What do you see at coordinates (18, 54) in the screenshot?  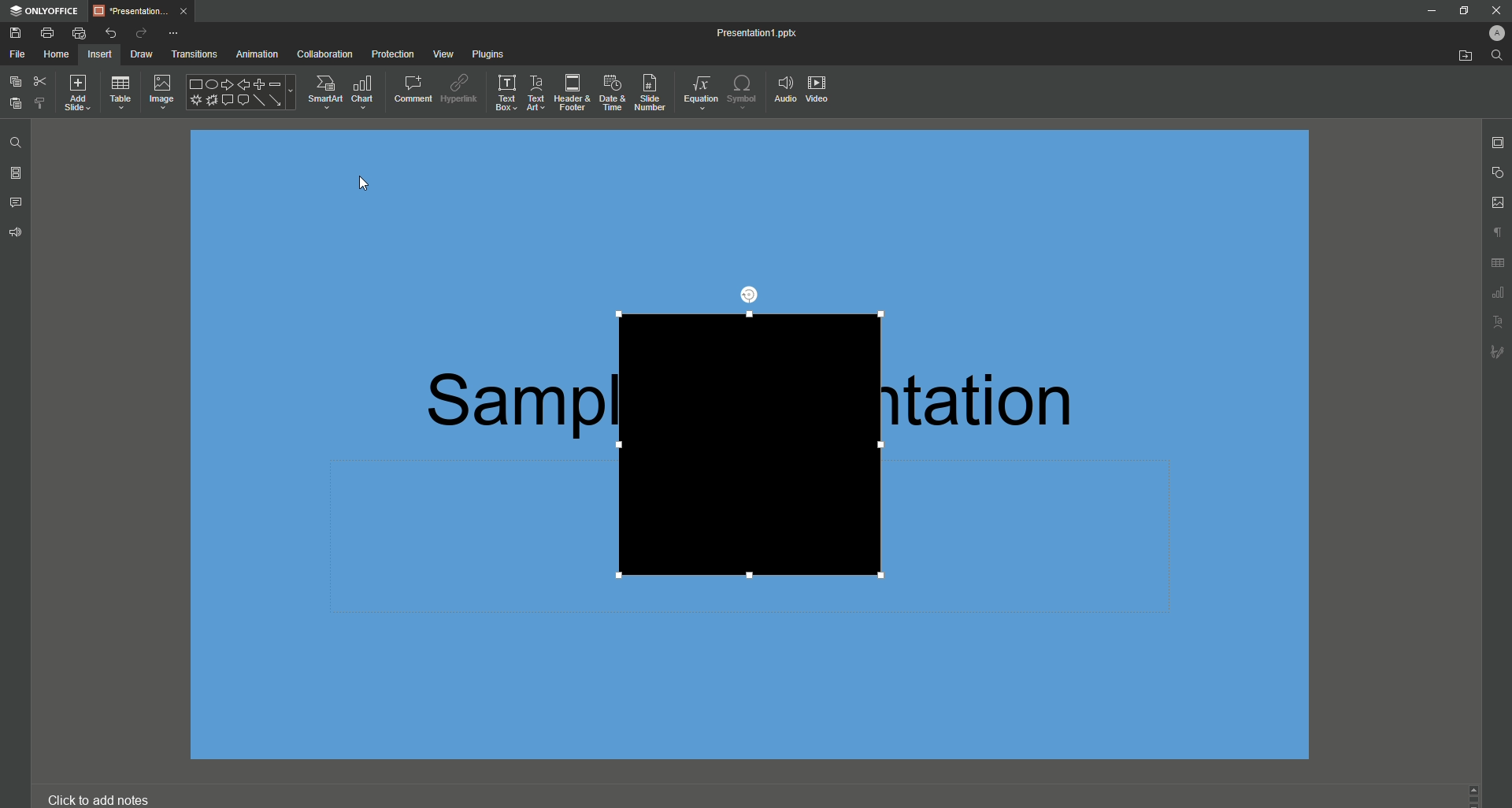 I see `File` at bounding box center [18, 54].